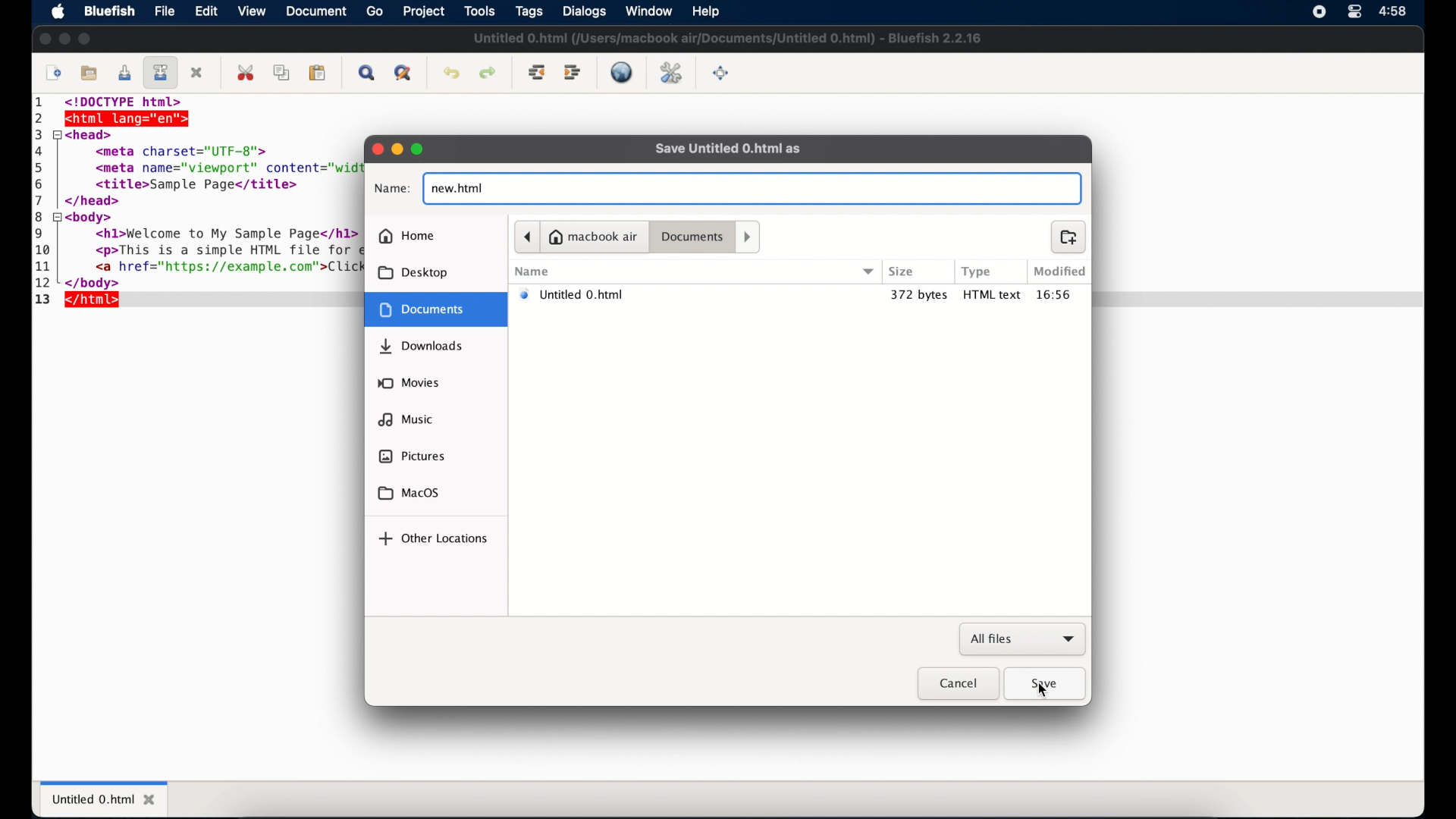 The image size is (1456, 819). Describe the element at coordinates (318, 12) in the screenshot. I see `document` at that location.